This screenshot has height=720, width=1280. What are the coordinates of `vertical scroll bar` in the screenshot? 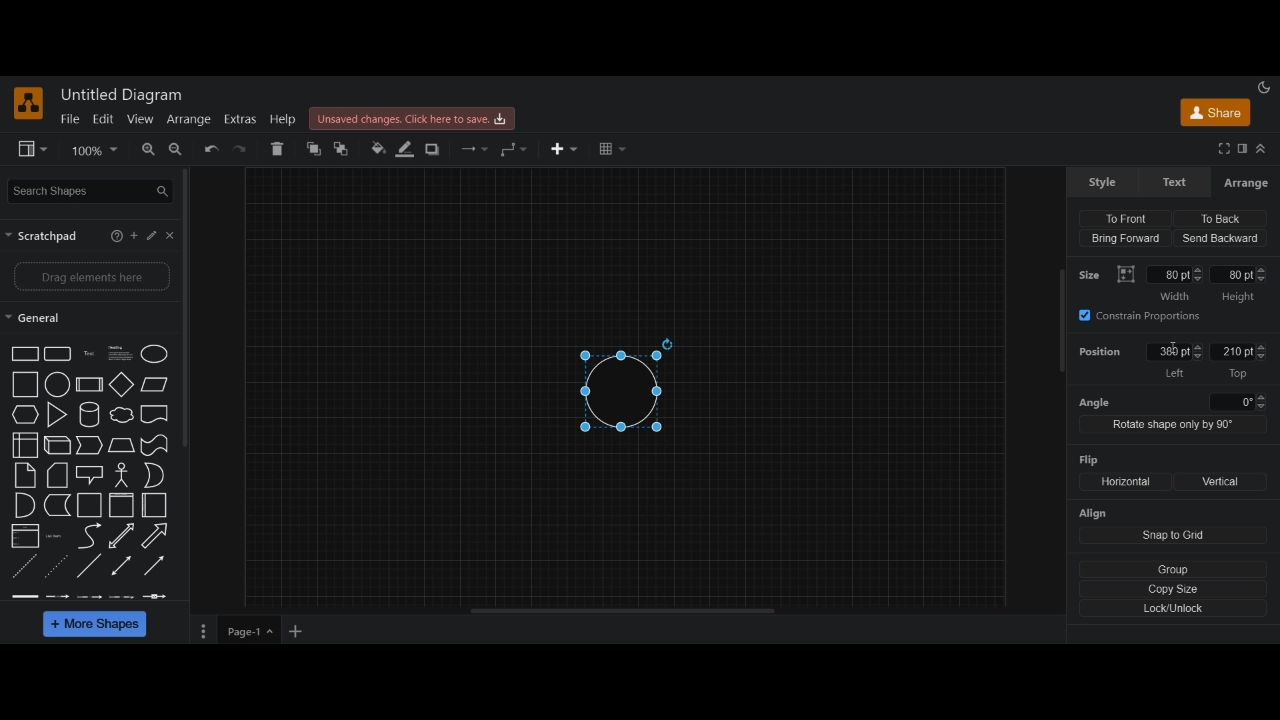 It's located at (191, 307).